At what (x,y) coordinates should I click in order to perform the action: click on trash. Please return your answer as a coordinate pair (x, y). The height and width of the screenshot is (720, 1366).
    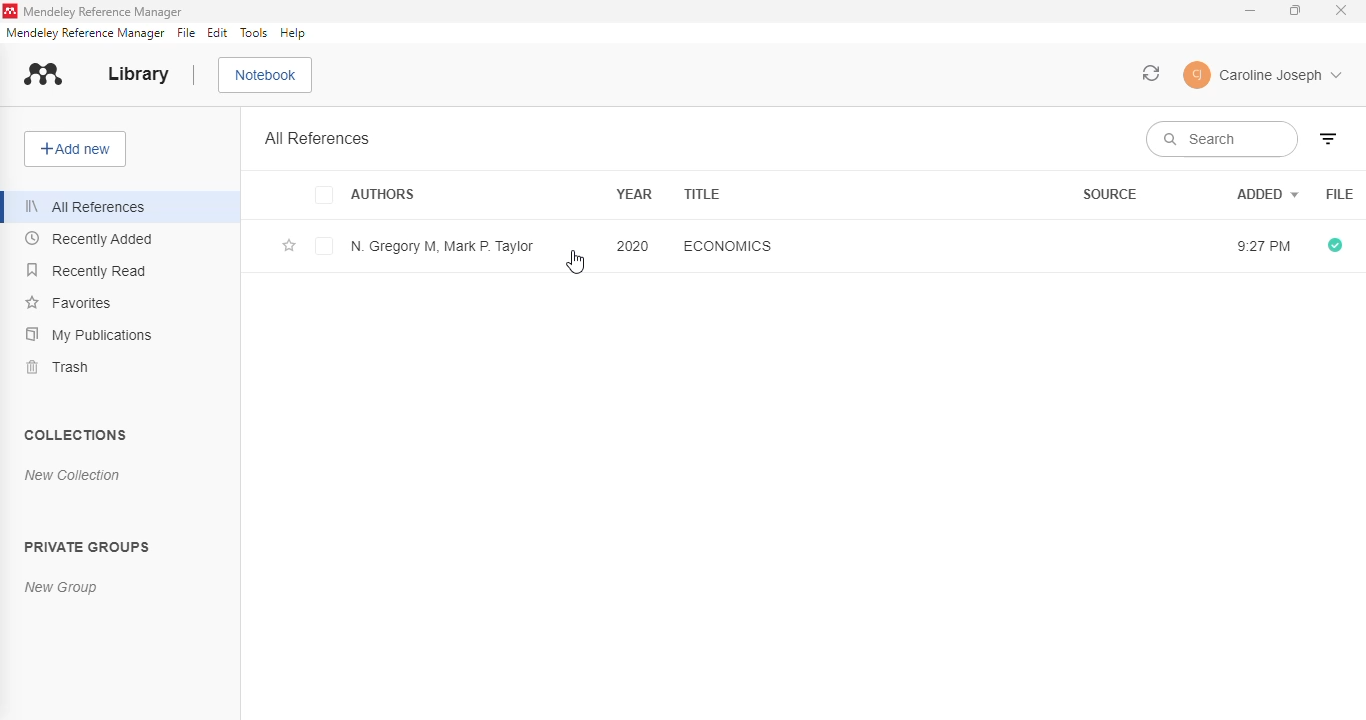
    Looking at the image, I should click on (57, 367).